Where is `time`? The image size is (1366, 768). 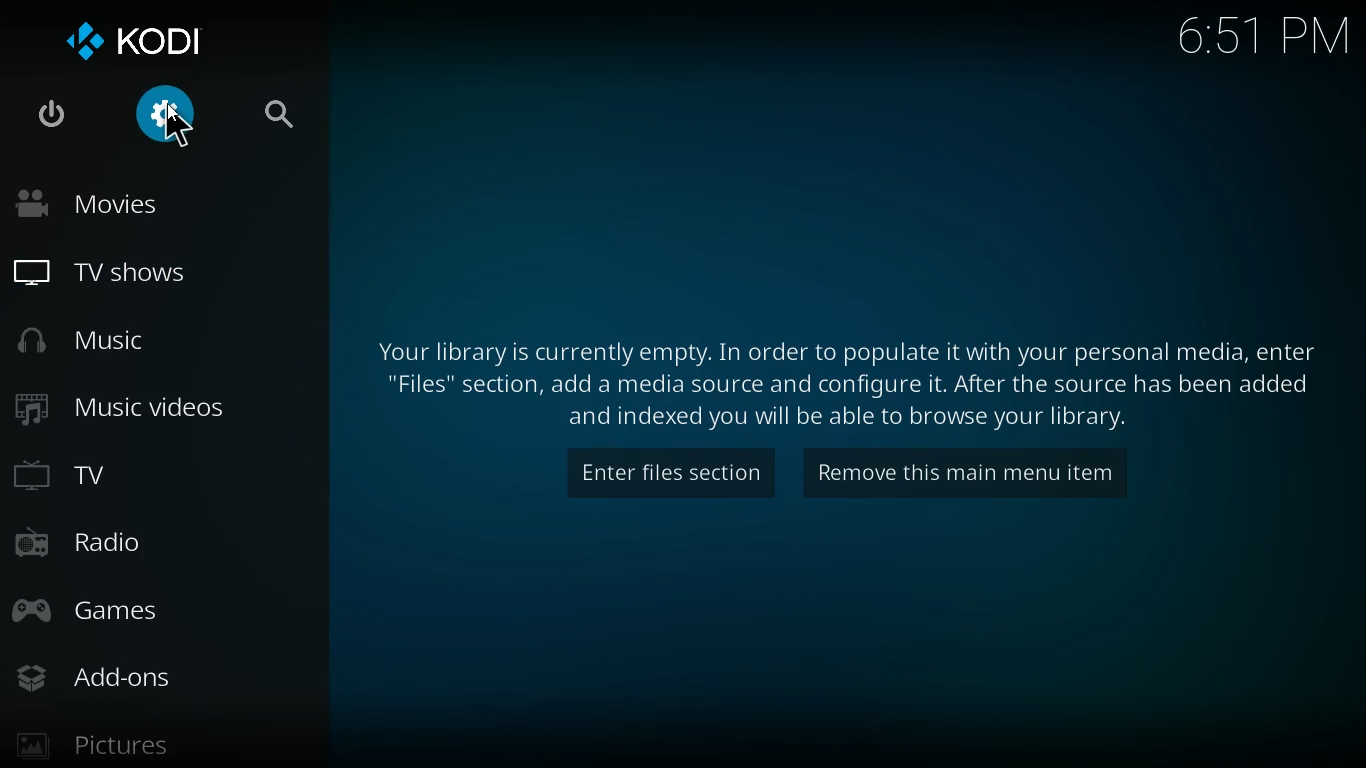
time is located at coordinates (1245, 36).